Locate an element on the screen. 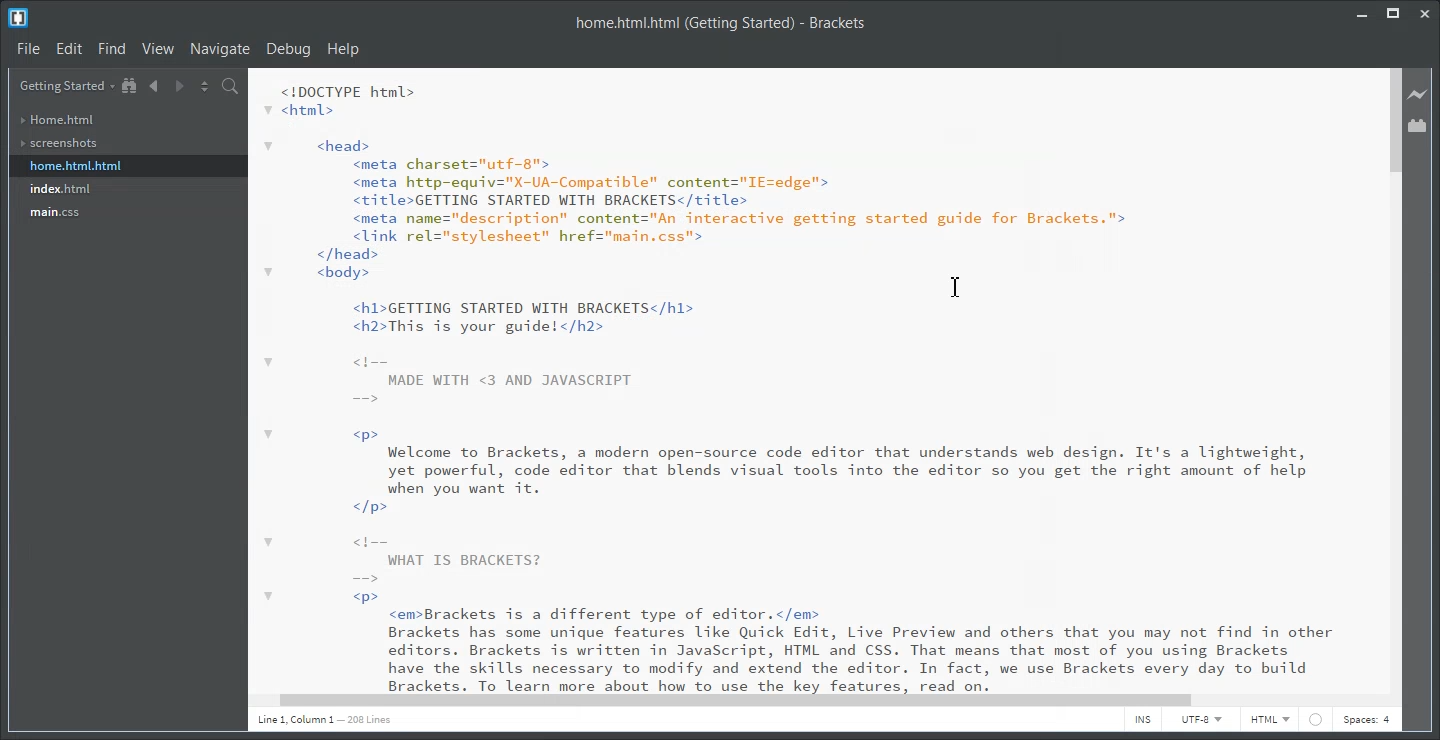 The image size is (1440, 740). Navigate Backward is located at coordinates (153, 85).